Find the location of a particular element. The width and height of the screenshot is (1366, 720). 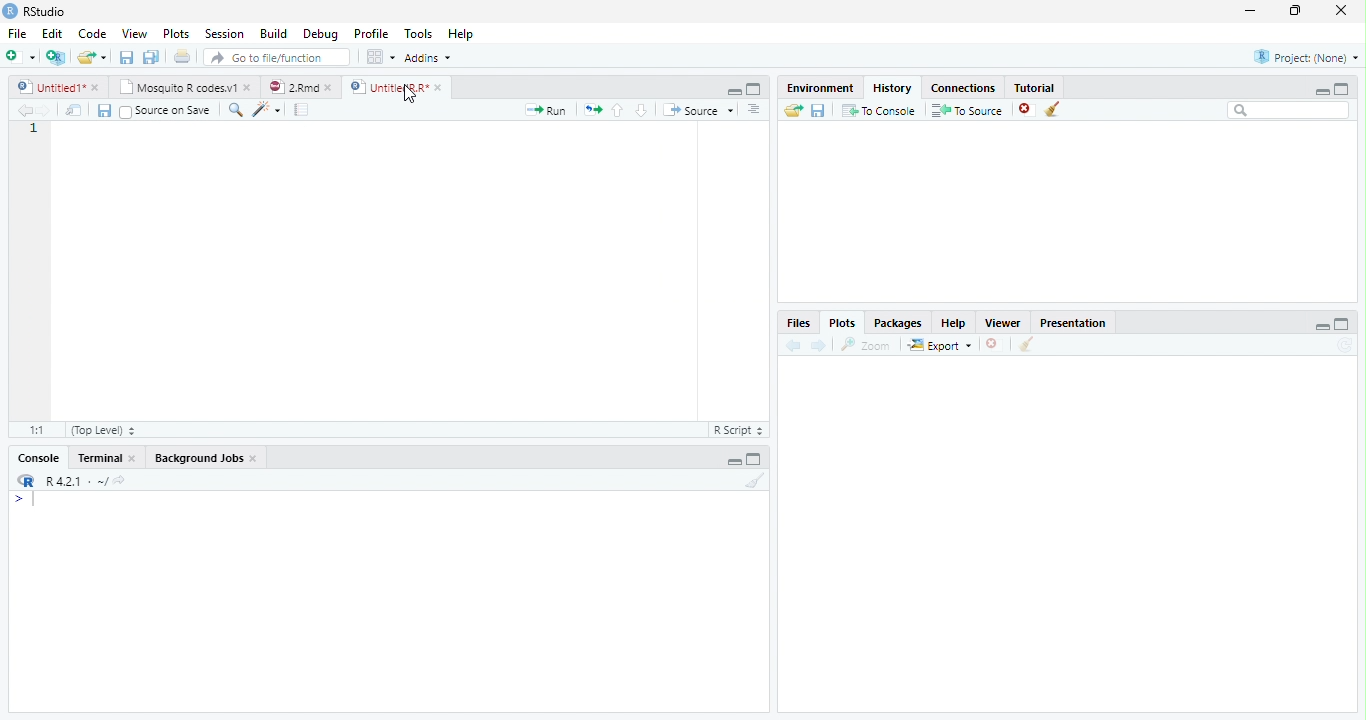

Files is located at coordinates (800, 322).